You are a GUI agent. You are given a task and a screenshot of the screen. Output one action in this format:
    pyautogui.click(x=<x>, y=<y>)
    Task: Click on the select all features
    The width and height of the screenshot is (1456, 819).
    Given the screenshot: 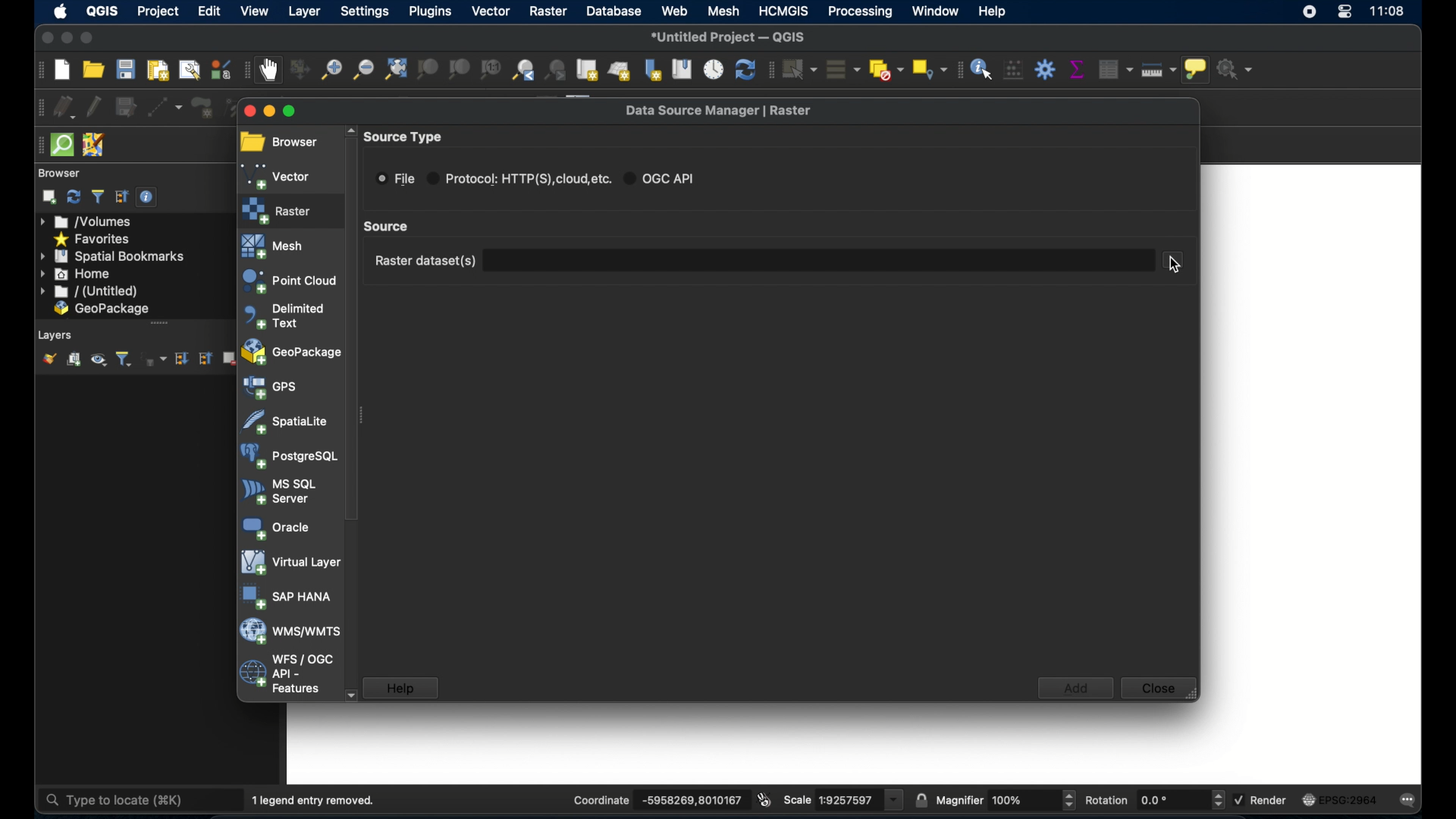 What is the action you would take?
    pyautogui.click(x=840, y=69)
    